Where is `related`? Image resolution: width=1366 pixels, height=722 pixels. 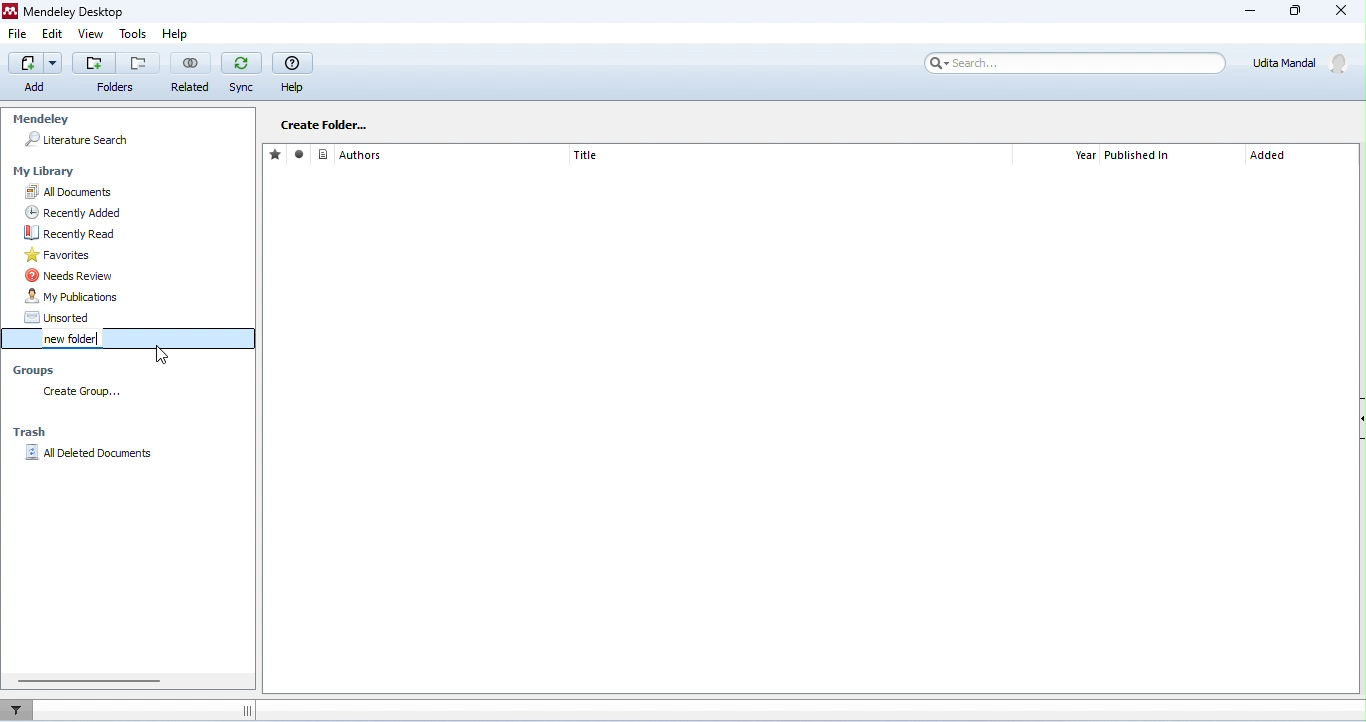 related is located at coordinates (190, 72).